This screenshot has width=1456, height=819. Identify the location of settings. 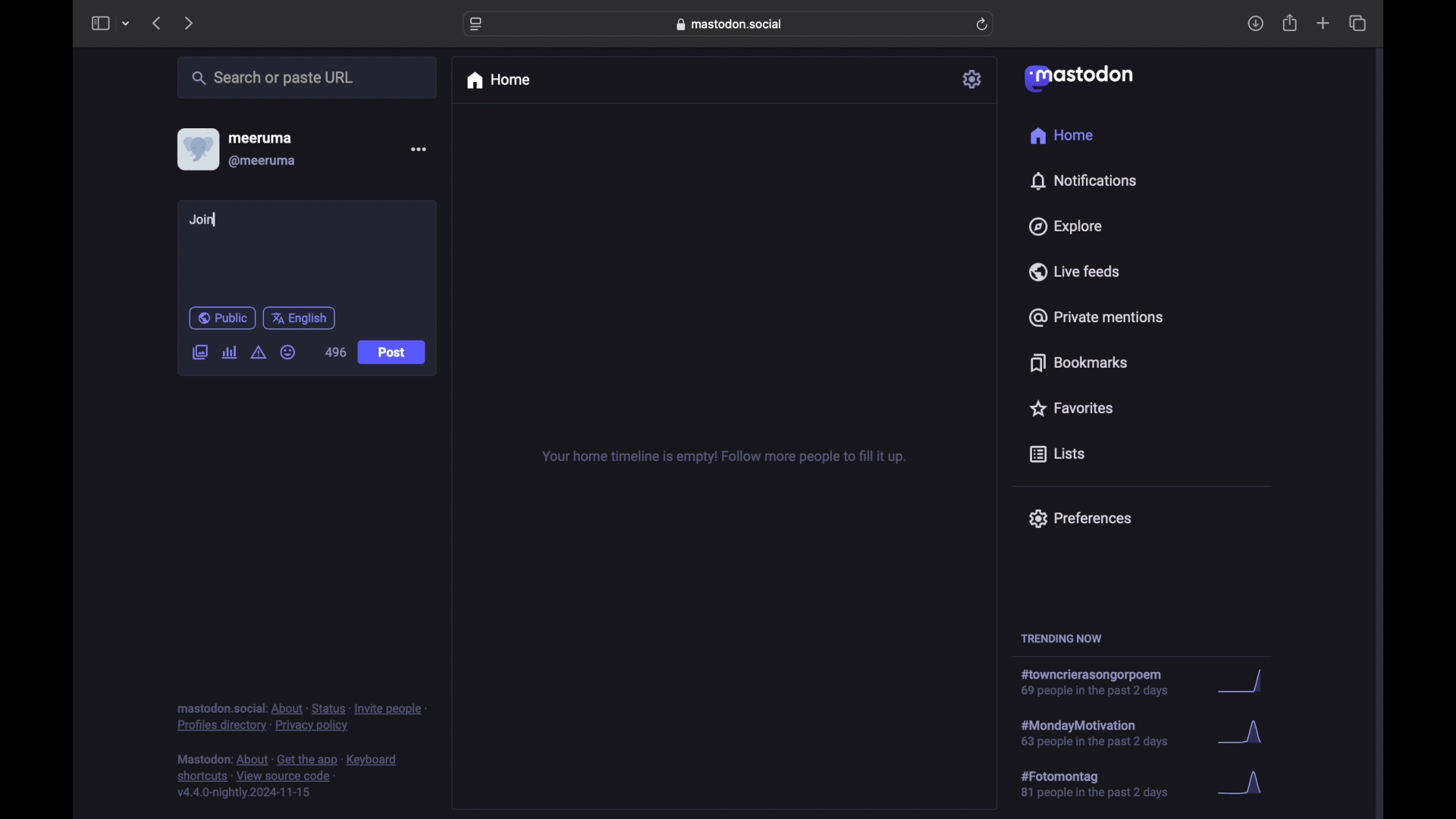
(974, 79).